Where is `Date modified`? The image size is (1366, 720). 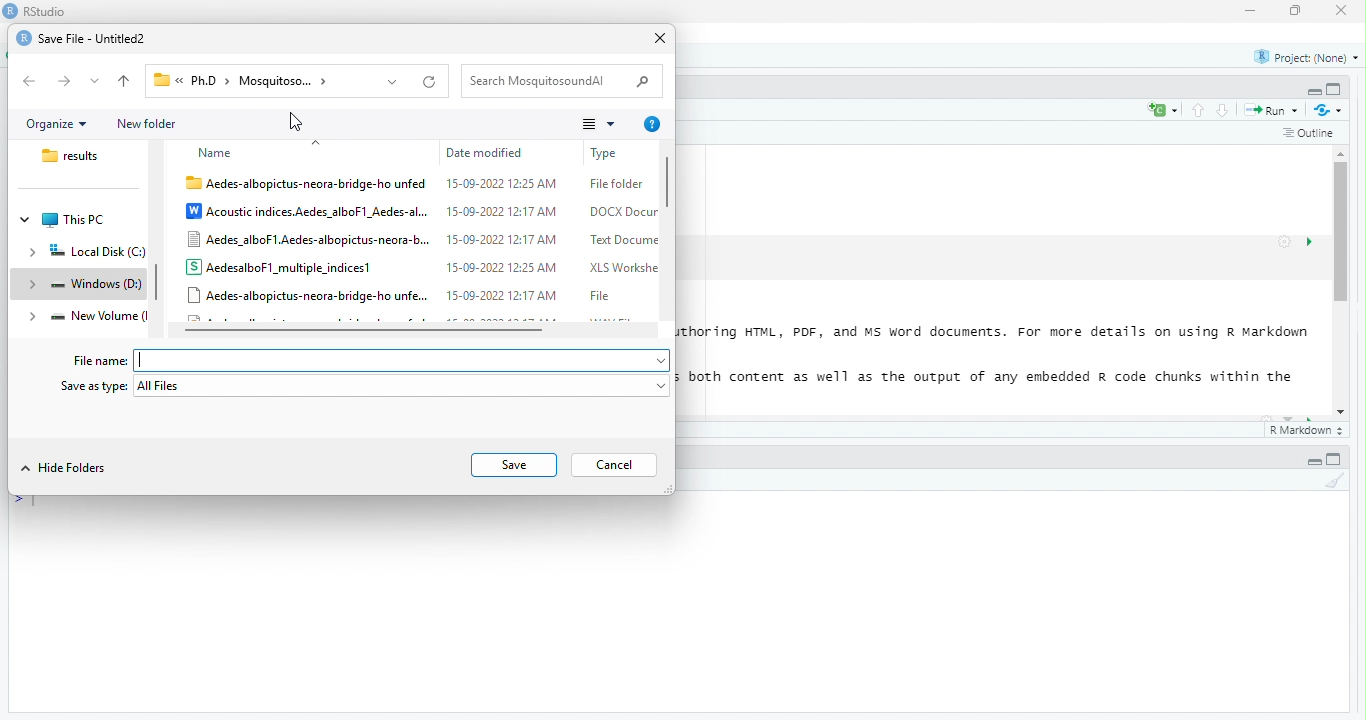
Date modified is located at coordinates (485, 153).